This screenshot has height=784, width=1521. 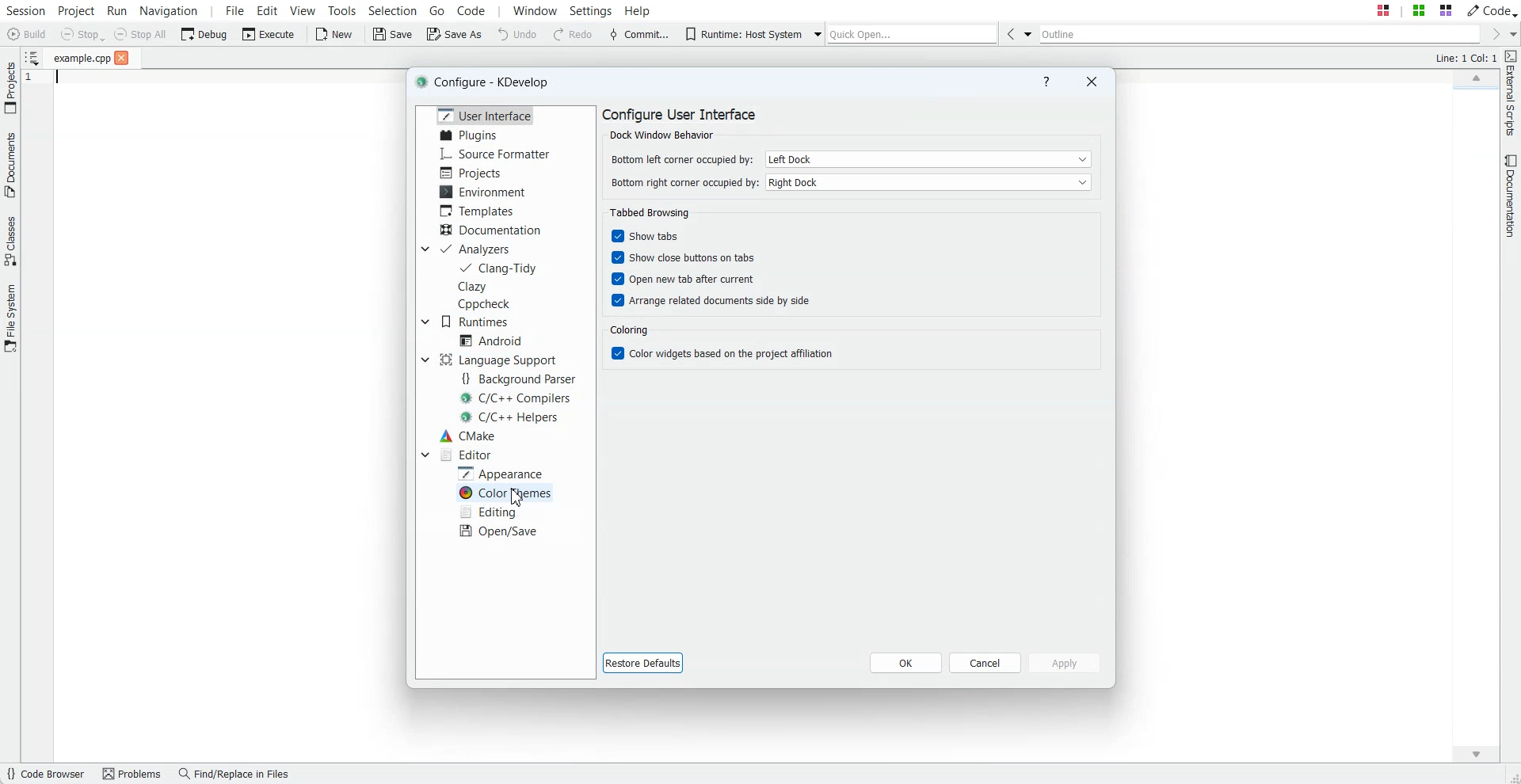 What do you see at coordinates (684, 124) in the screenshot?
I see `Text` at bounding box center [684, 124].